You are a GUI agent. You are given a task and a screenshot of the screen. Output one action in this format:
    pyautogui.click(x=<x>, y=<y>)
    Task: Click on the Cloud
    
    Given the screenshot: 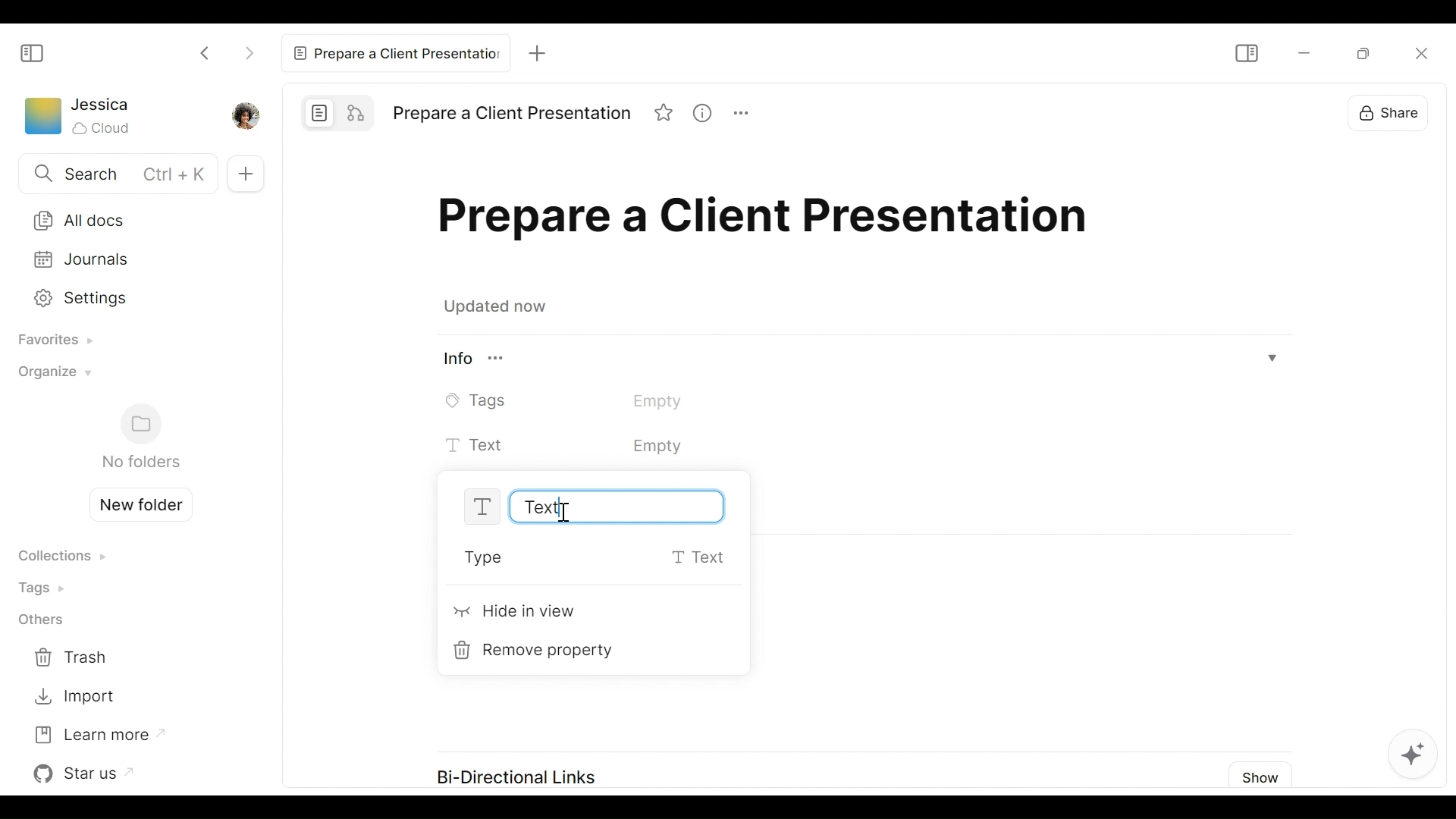 What is the action you would take?
    pyautogui.click(x=103, y=128)
    